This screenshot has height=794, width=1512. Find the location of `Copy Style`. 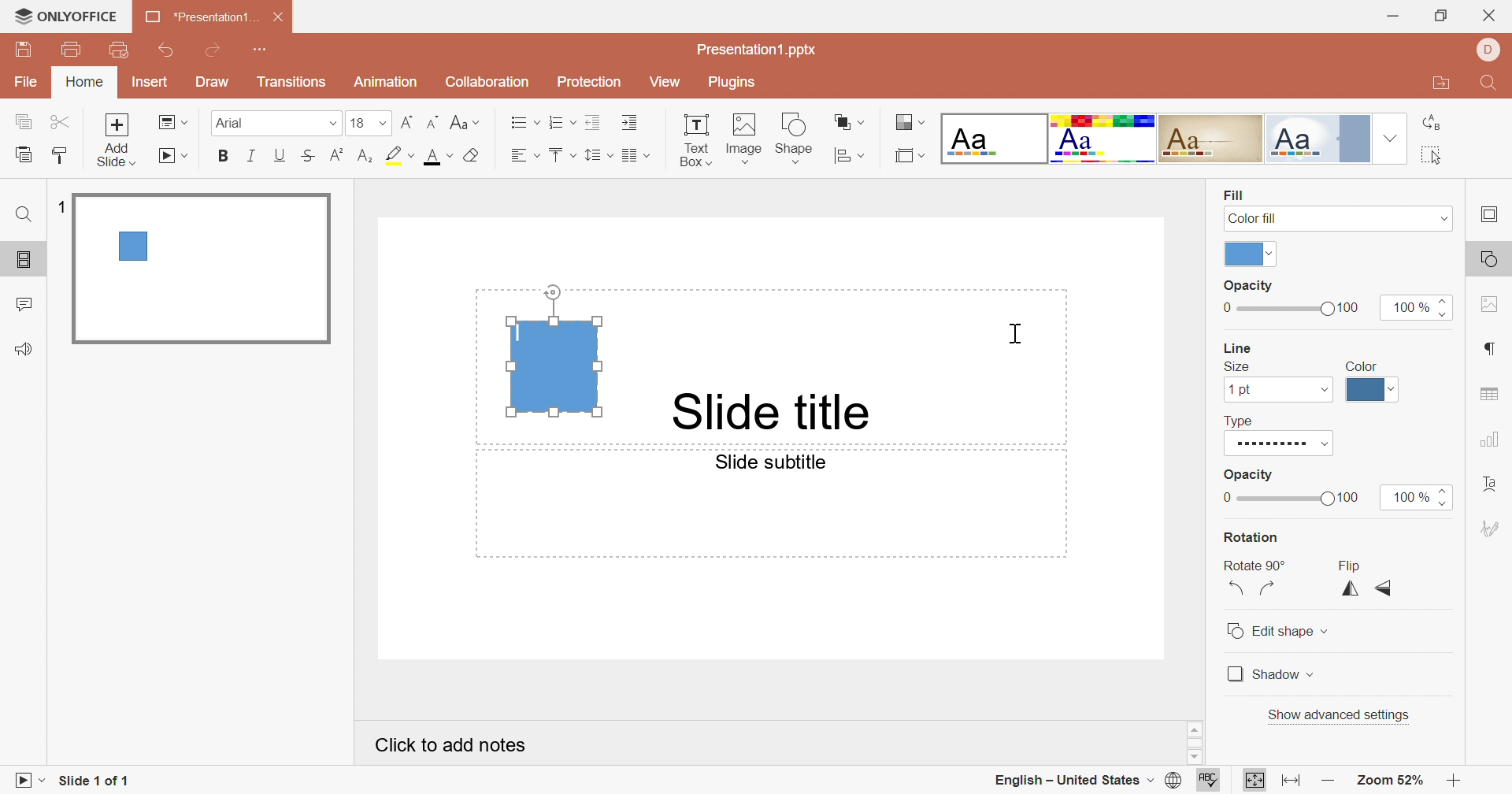

Copy Style is located at coordinates (24, 155).